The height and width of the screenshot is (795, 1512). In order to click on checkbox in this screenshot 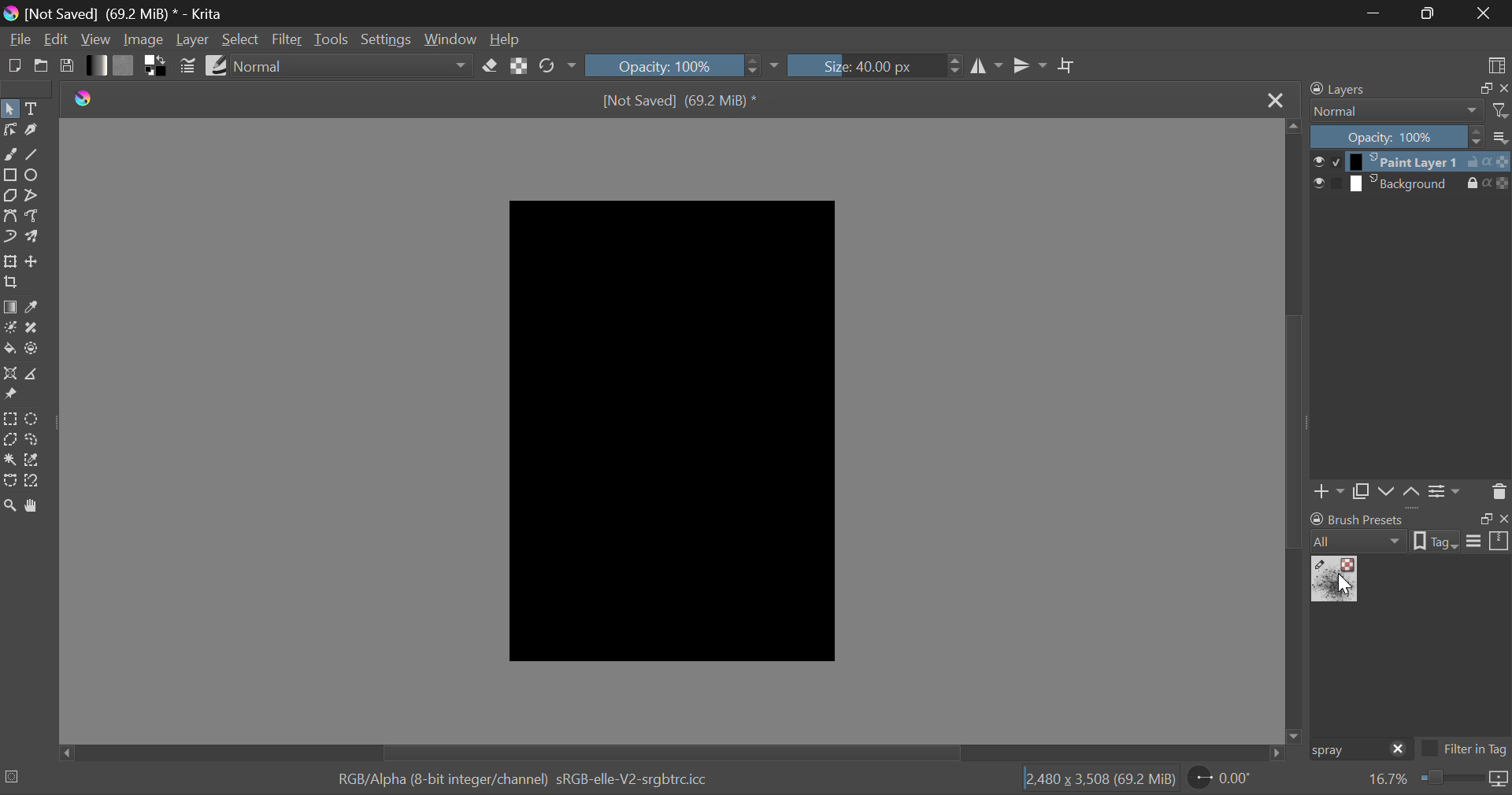, I will do `click(1327, 184)`.